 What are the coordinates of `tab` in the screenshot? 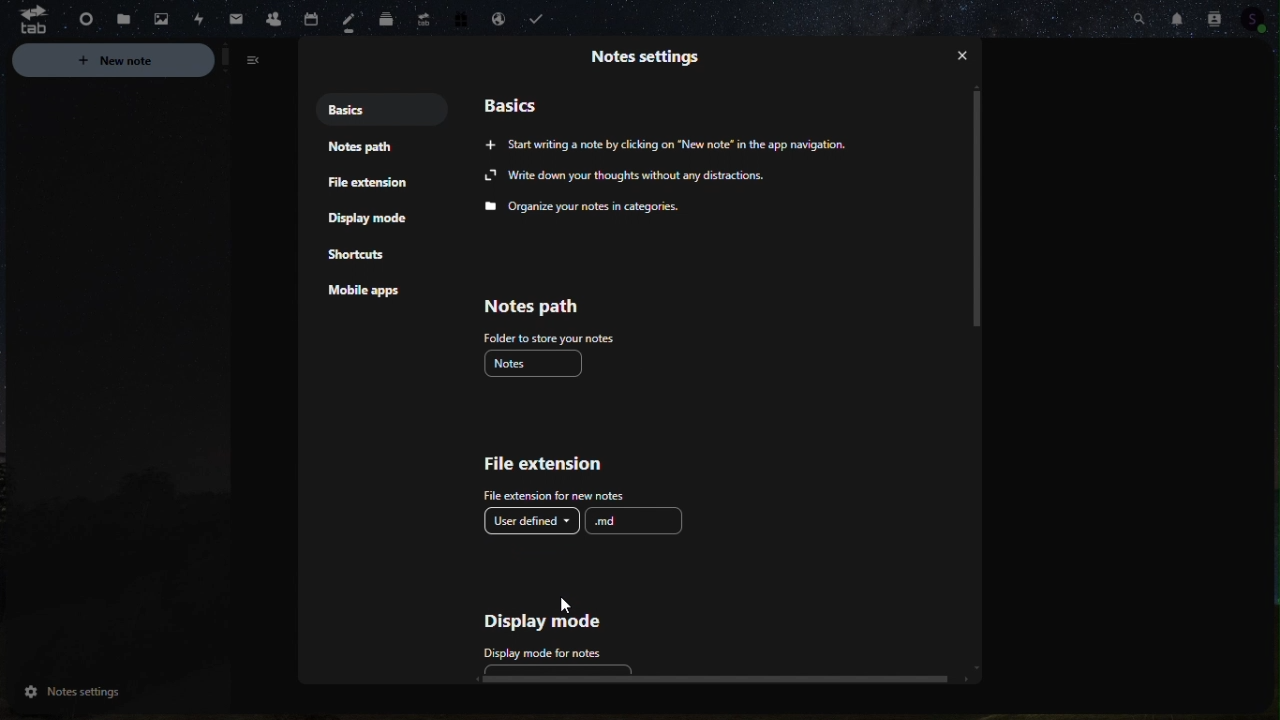 It's located at (25, 21).